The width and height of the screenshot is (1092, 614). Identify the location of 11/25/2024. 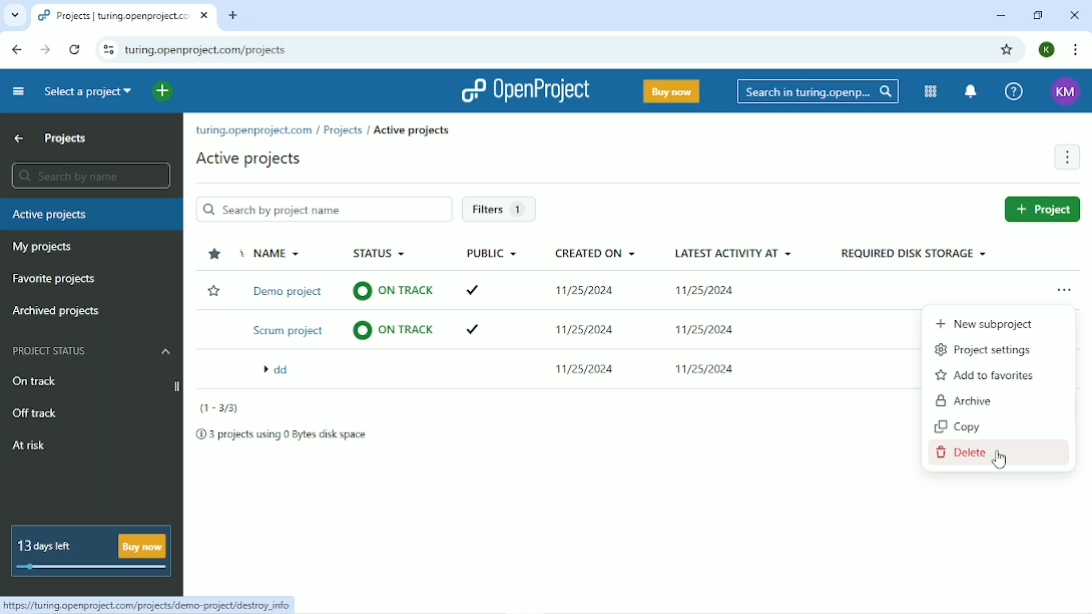
(583, 292).